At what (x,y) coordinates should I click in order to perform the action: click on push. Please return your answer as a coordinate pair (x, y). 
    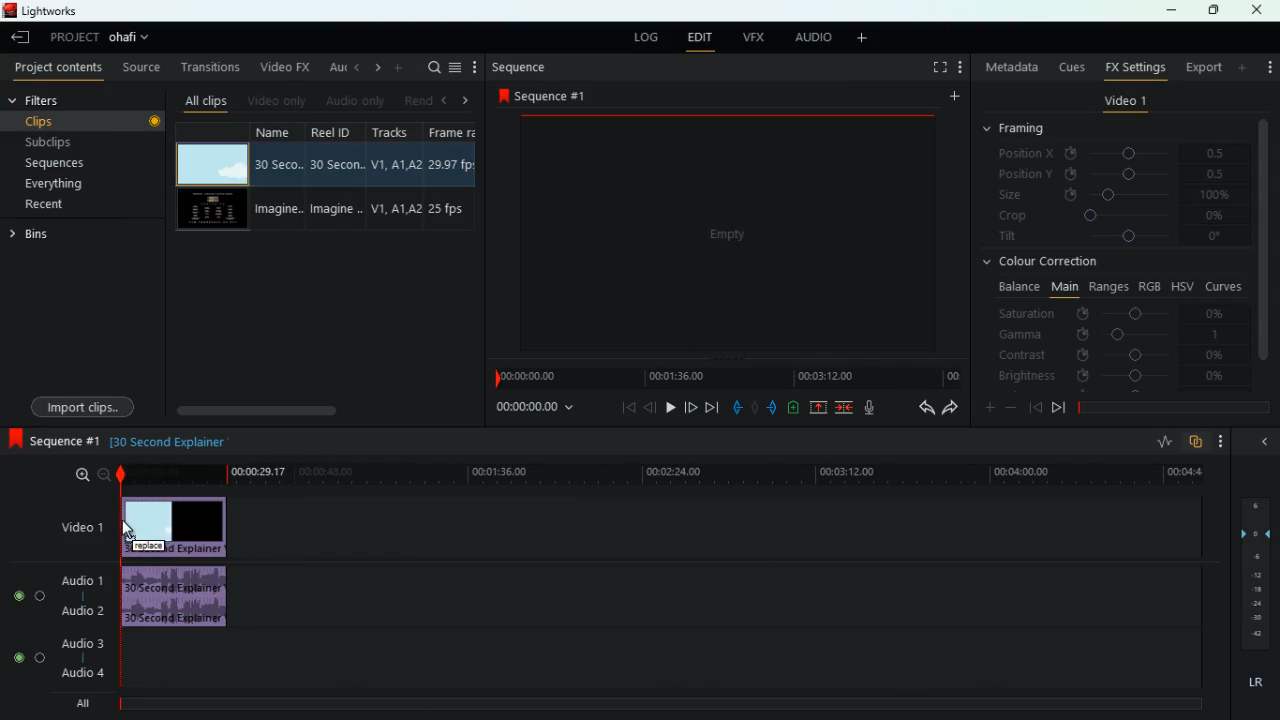
    Looking at the image, I should click on (774, 409).